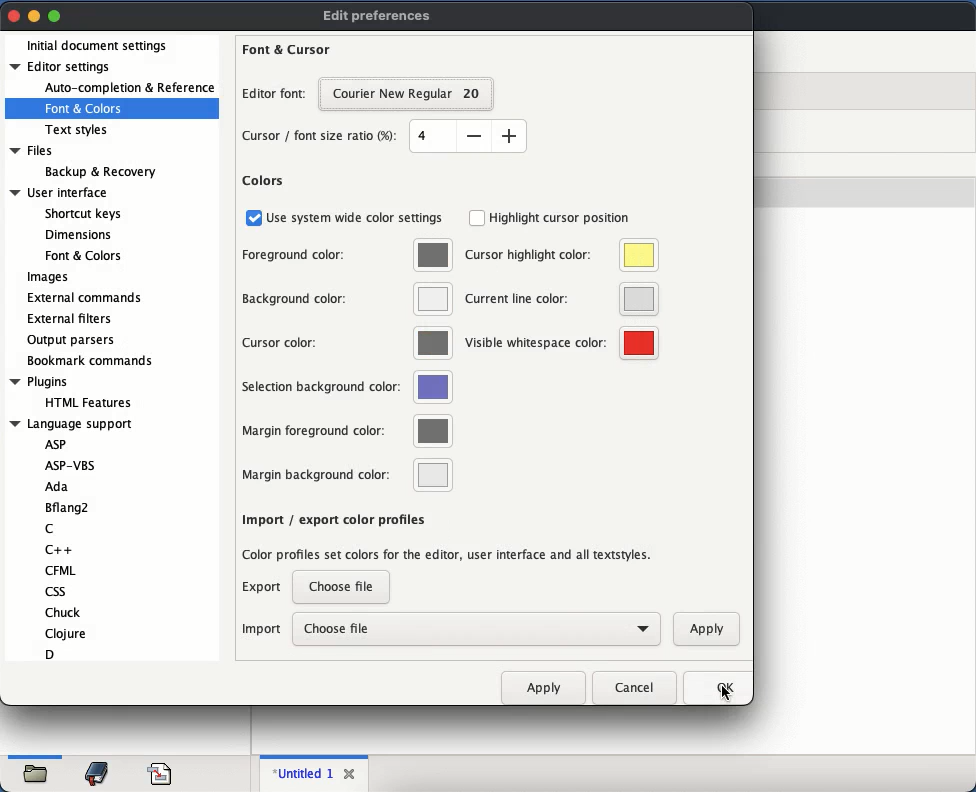 Image resolution: width=976 pixels, height=792 pixels. I want to click on initial document settings, so click(98, 45).